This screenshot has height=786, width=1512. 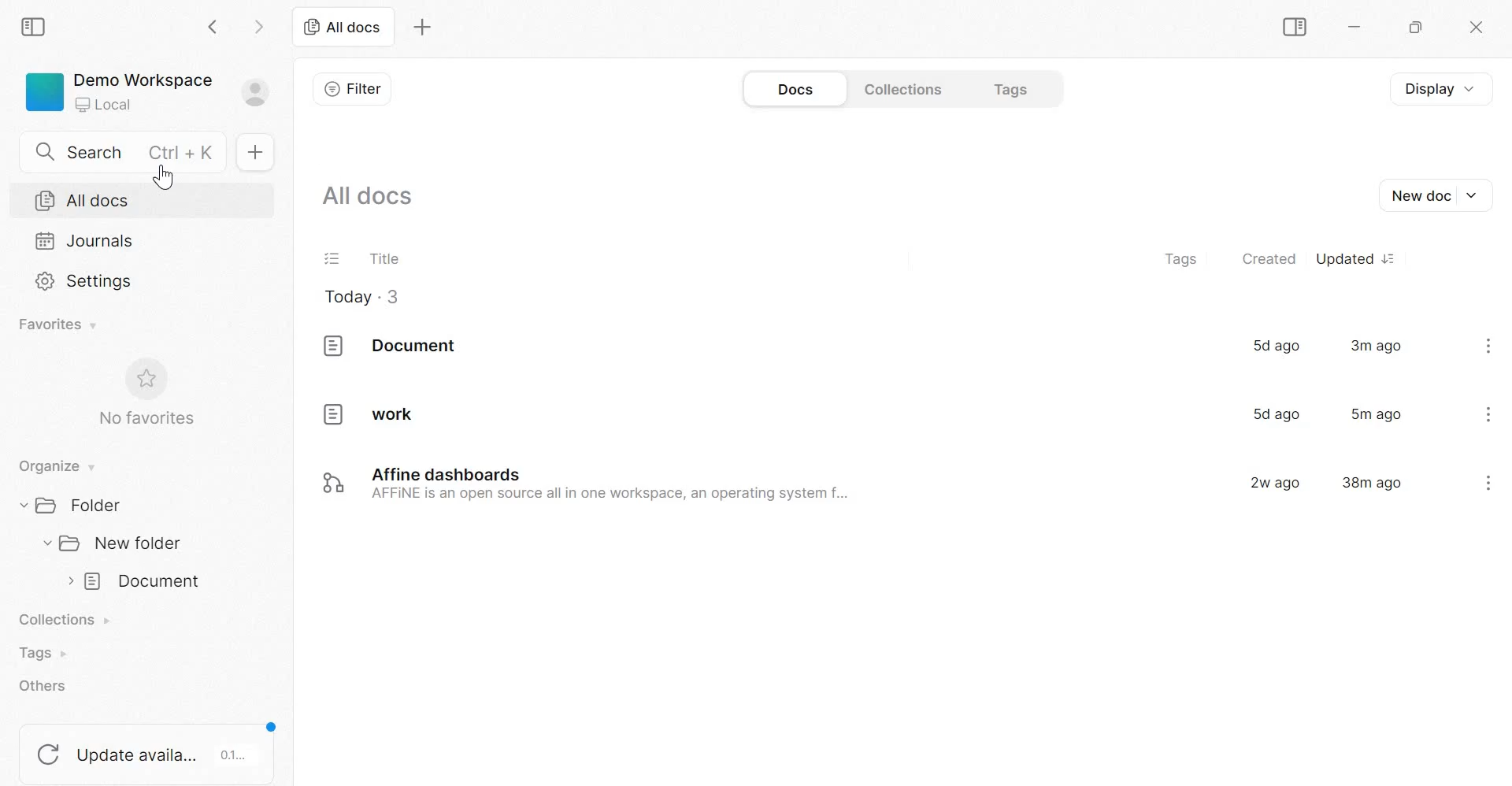 What do you see at coordinates (423, 28) in the screenshot?
I see `New tab` at bounding box center [423, 28].